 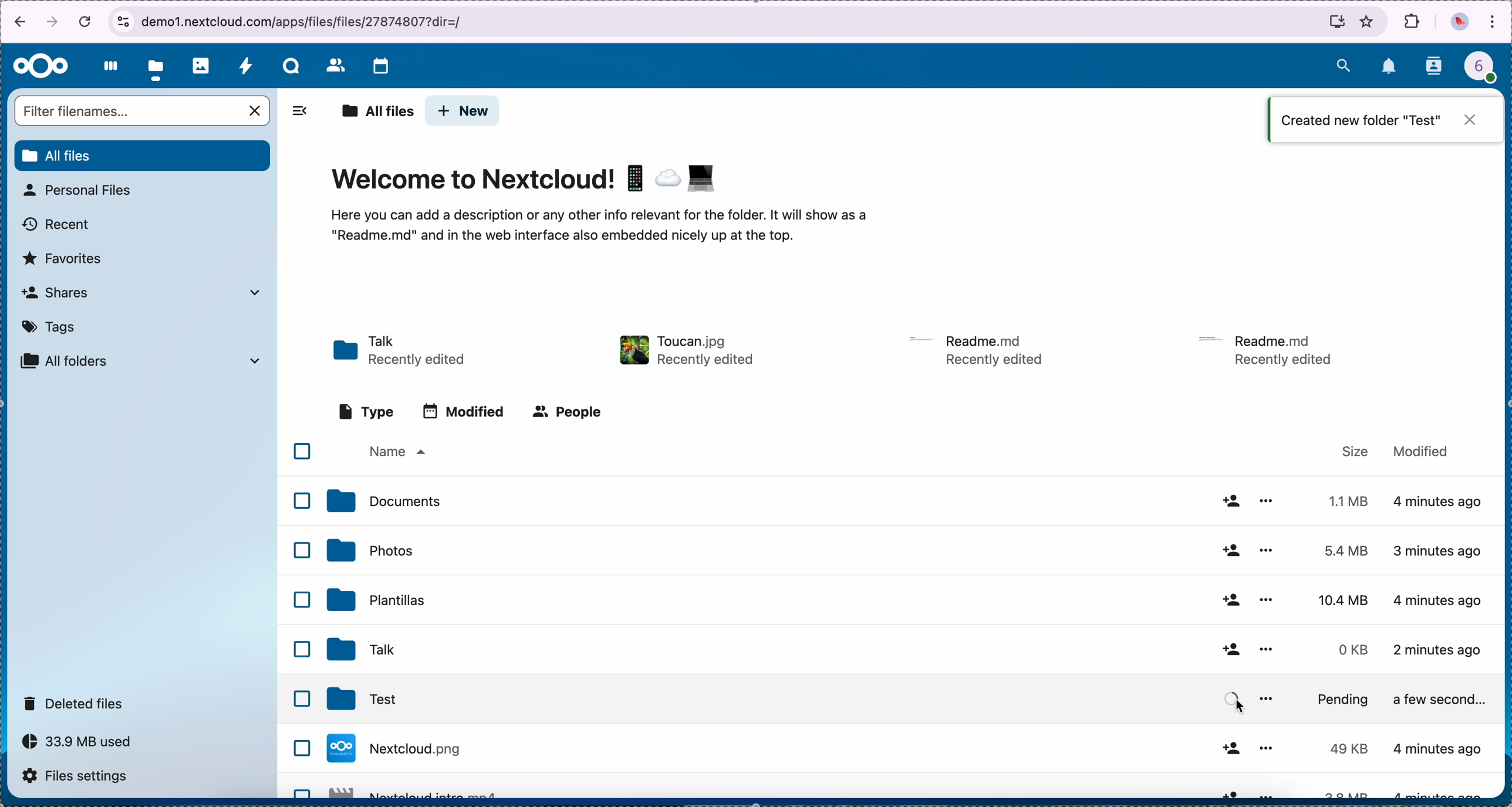 I want to click on people, so click(x=566, y=411).